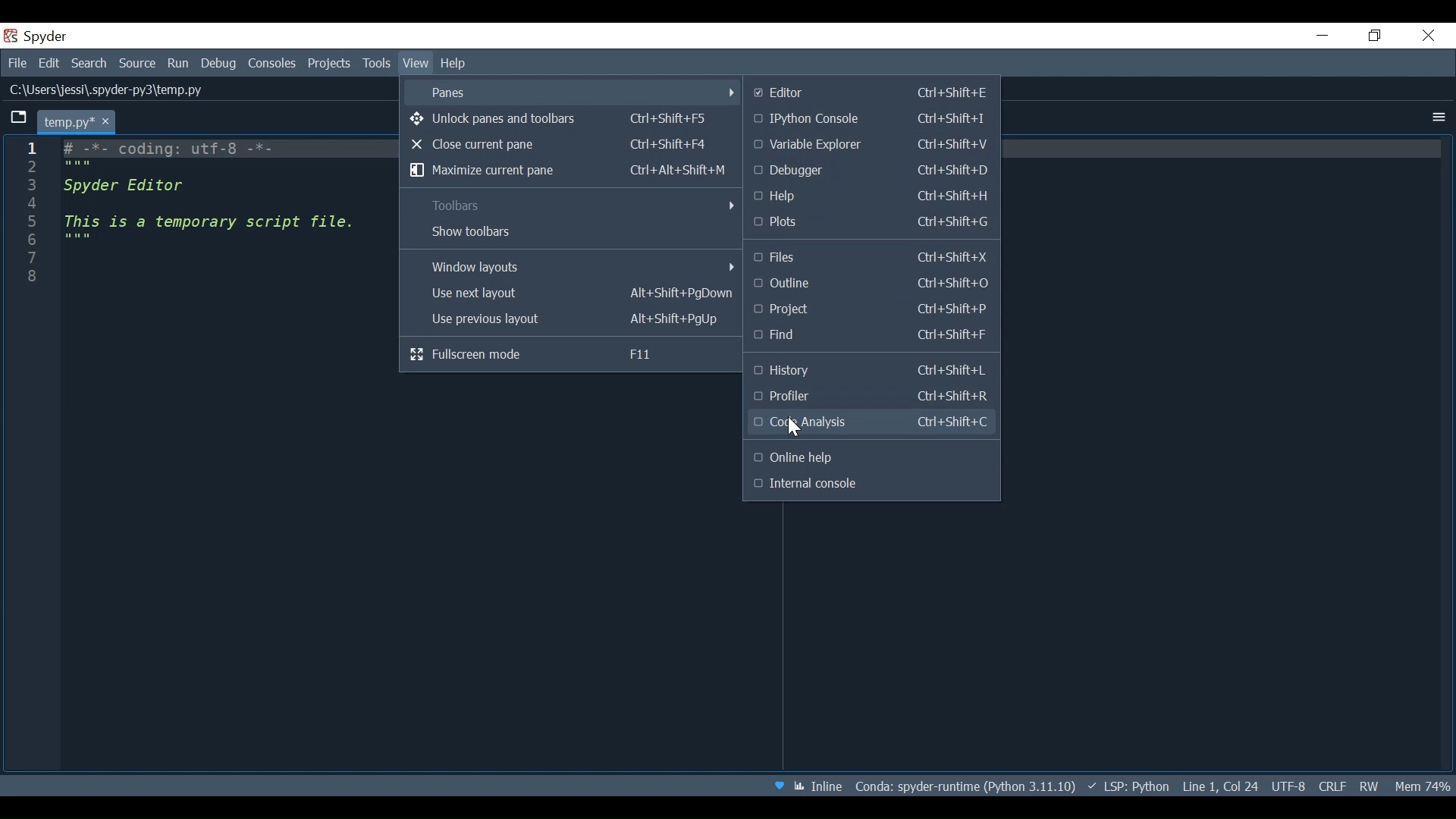  I want to click on Outline Help, so click(871, 458).